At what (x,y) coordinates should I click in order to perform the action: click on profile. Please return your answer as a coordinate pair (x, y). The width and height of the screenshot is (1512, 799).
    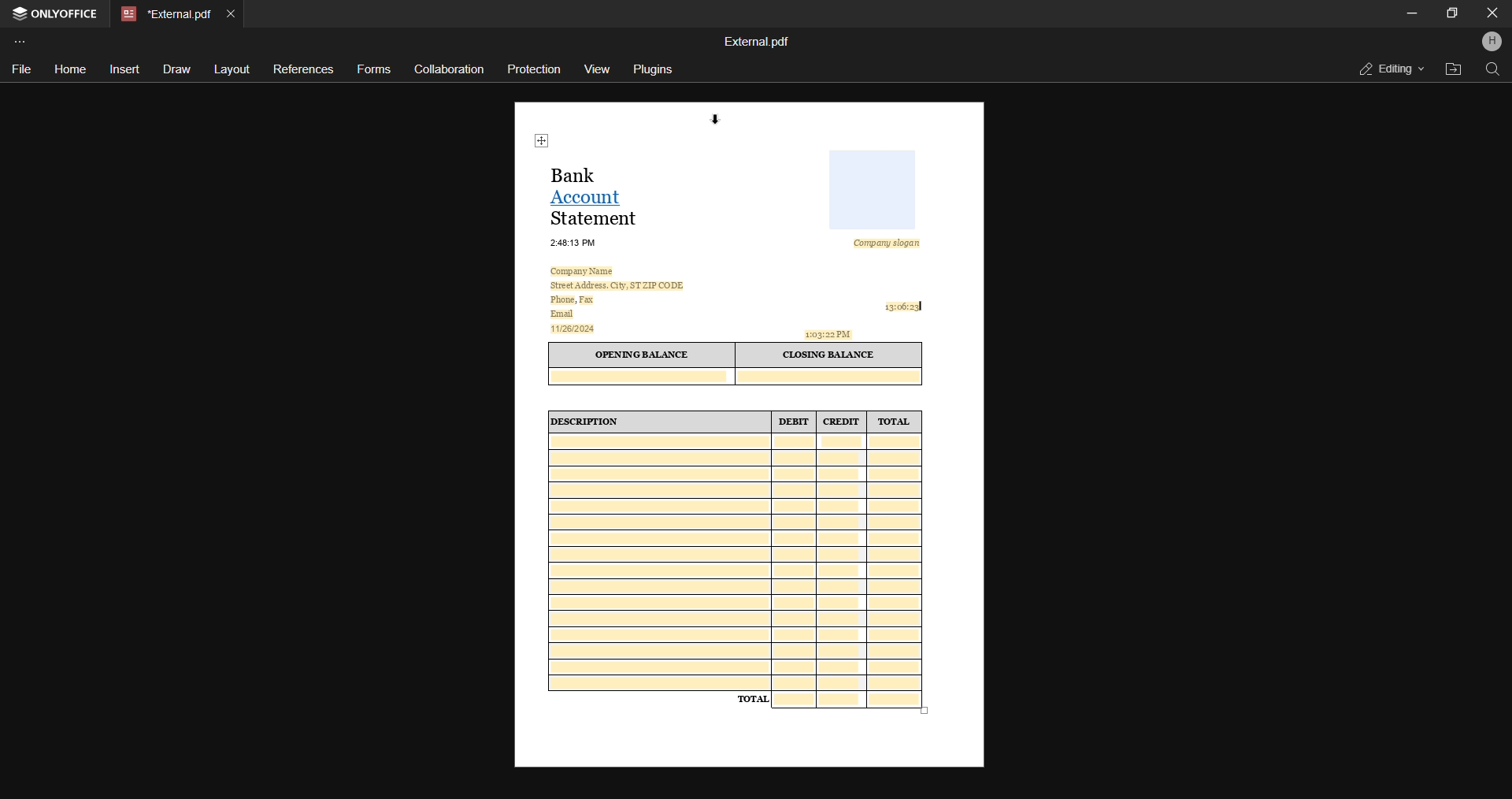
    Looking at the image, I should click on (1492, 43).